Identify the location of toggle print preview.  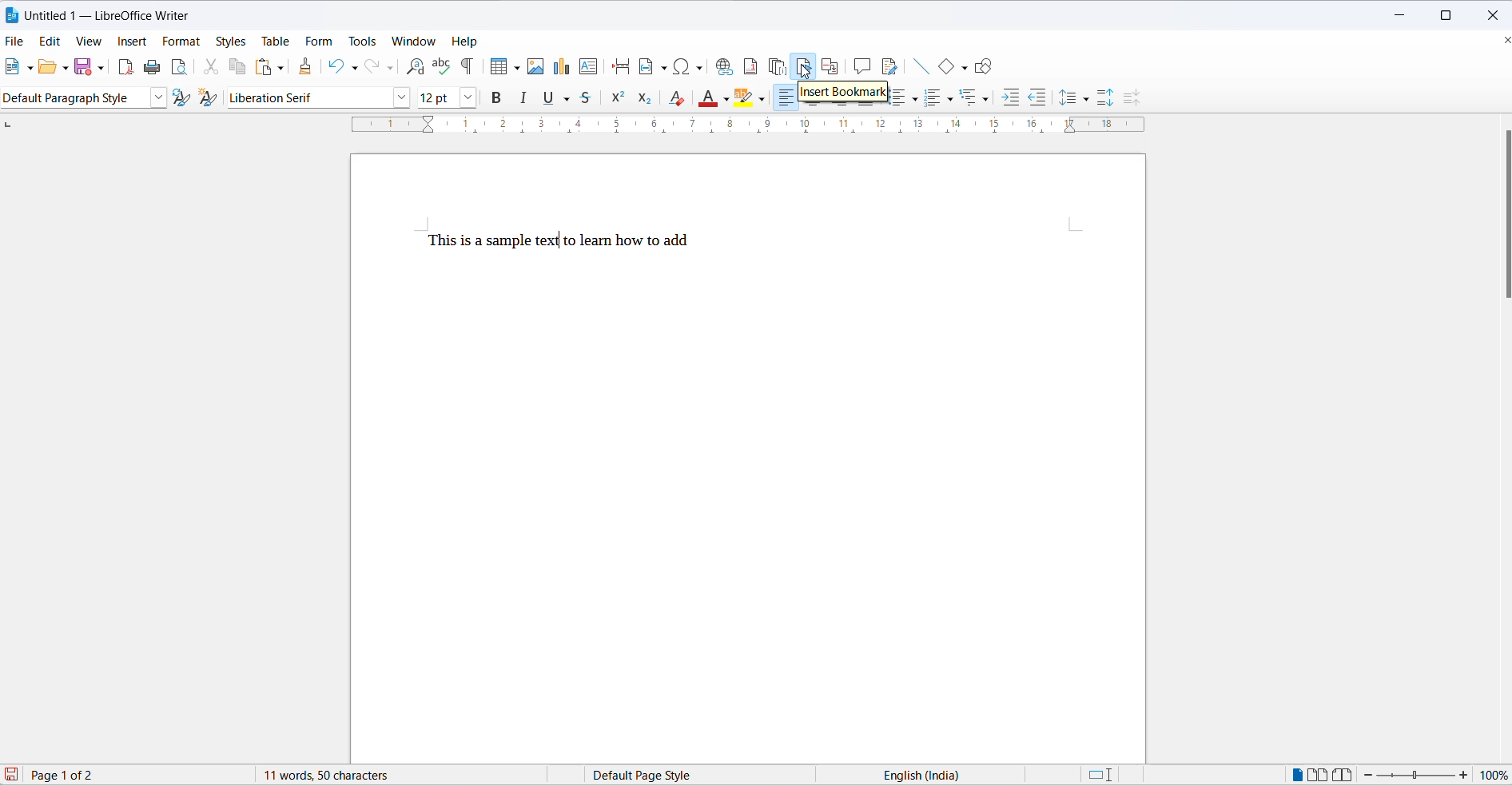
(181, 67).